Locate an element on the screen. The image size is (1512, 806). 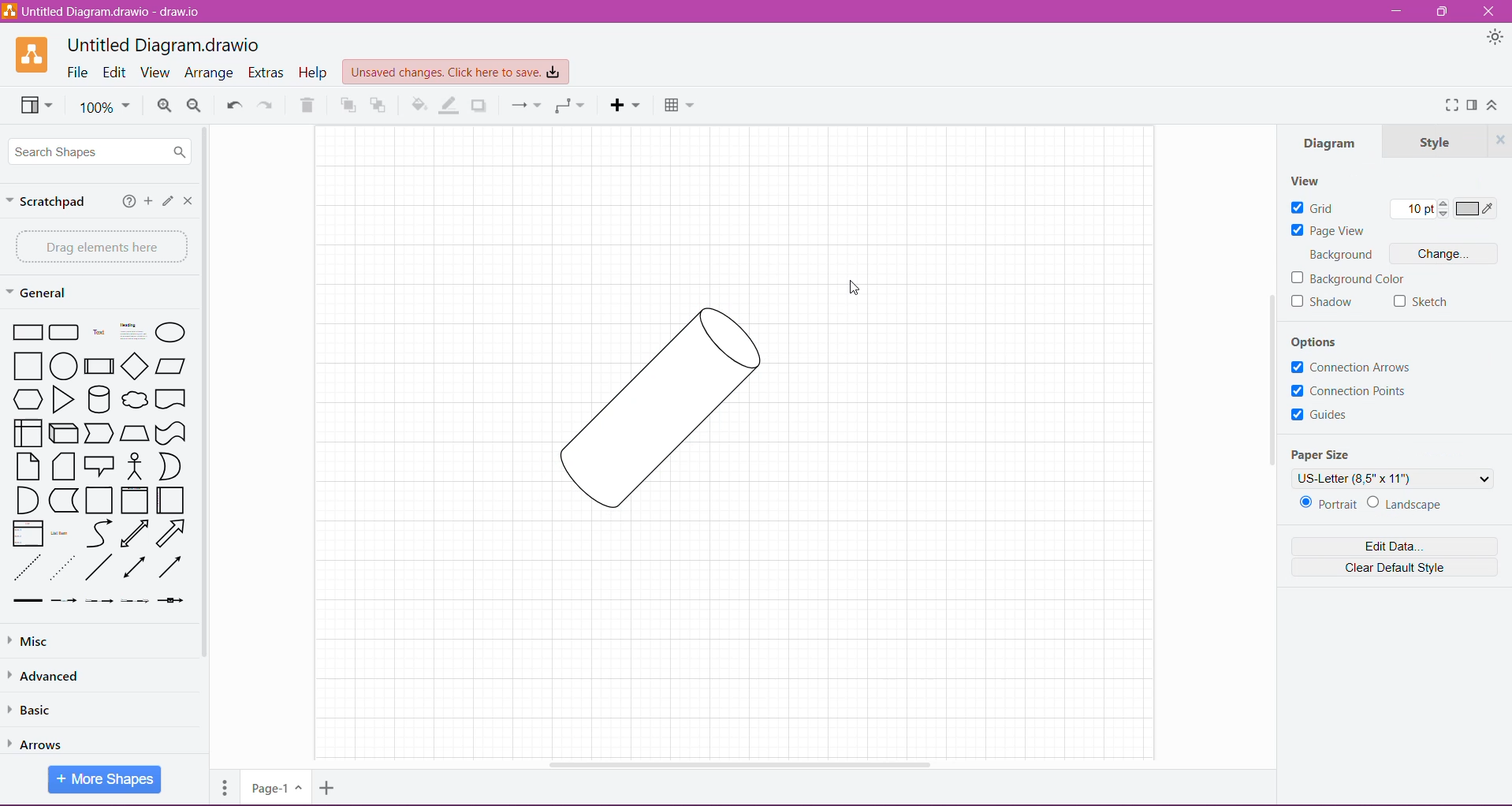
More Shapes is located at coordinates (106, 780).